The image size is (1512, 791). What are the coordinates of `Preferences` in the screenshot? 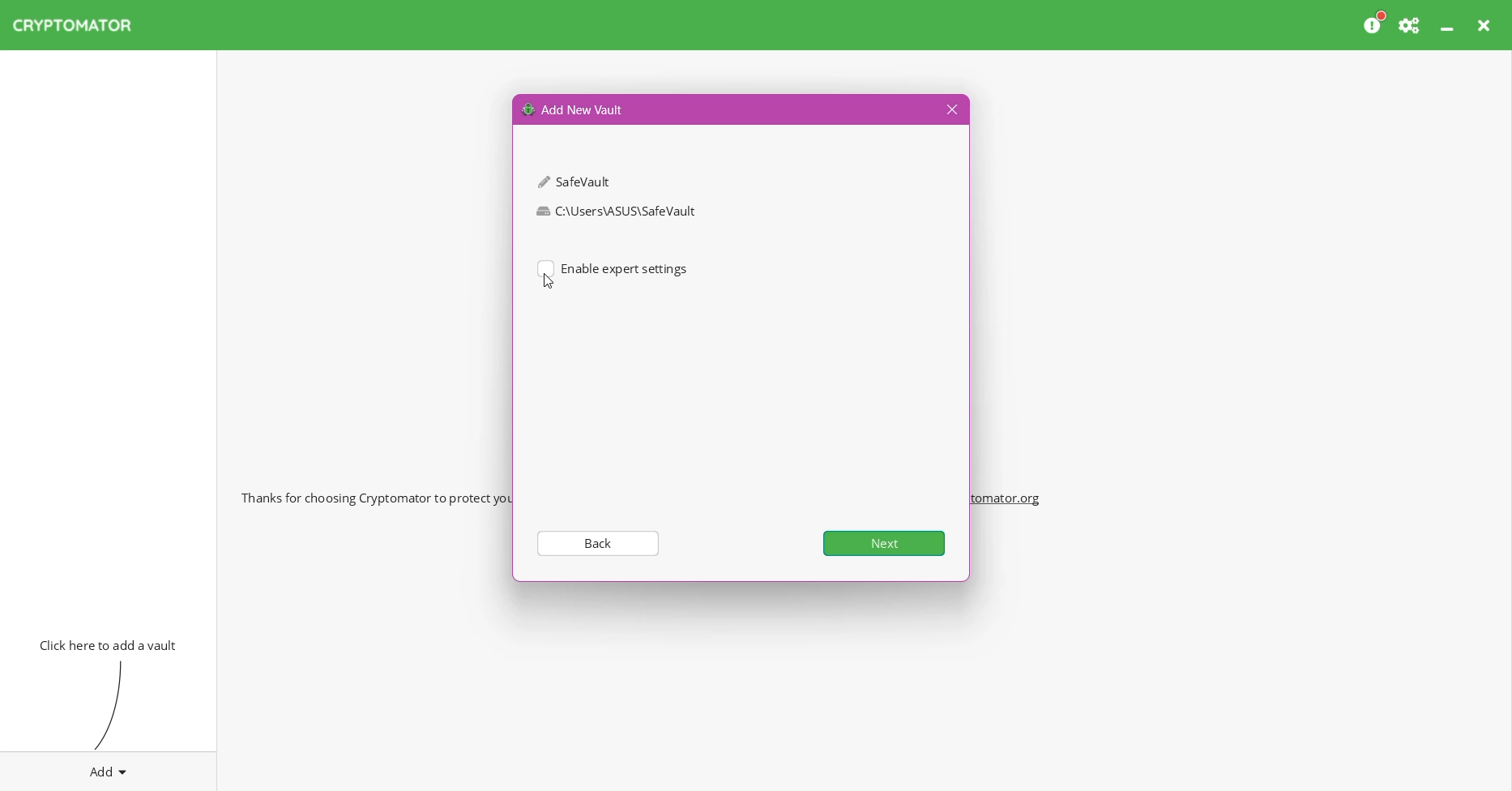 It's located at (1411, 25).